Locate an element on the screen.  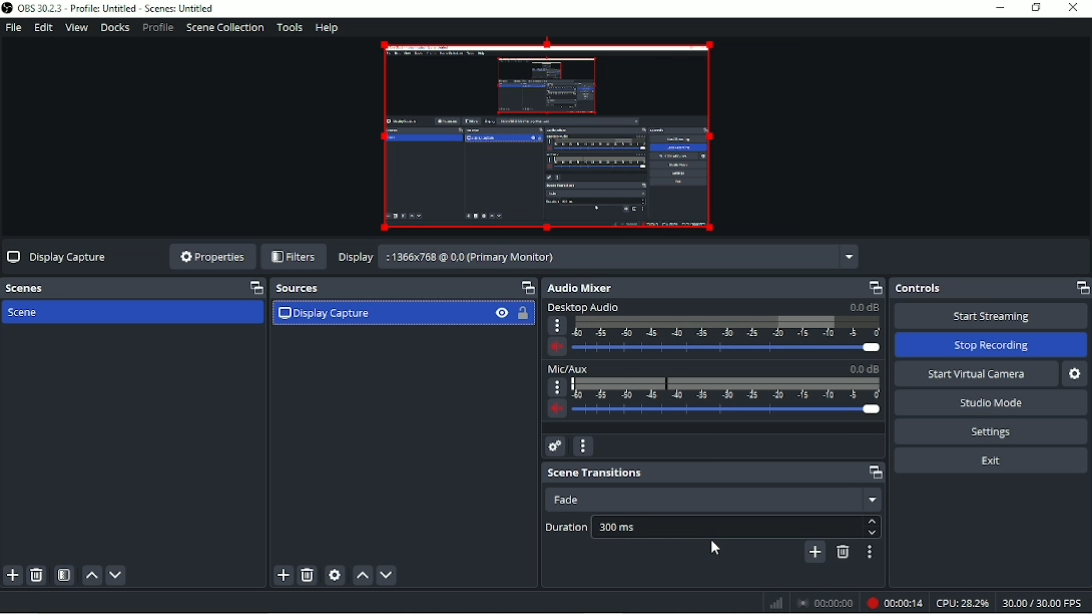
Remove selected scene is located at coordinates (39, 575).